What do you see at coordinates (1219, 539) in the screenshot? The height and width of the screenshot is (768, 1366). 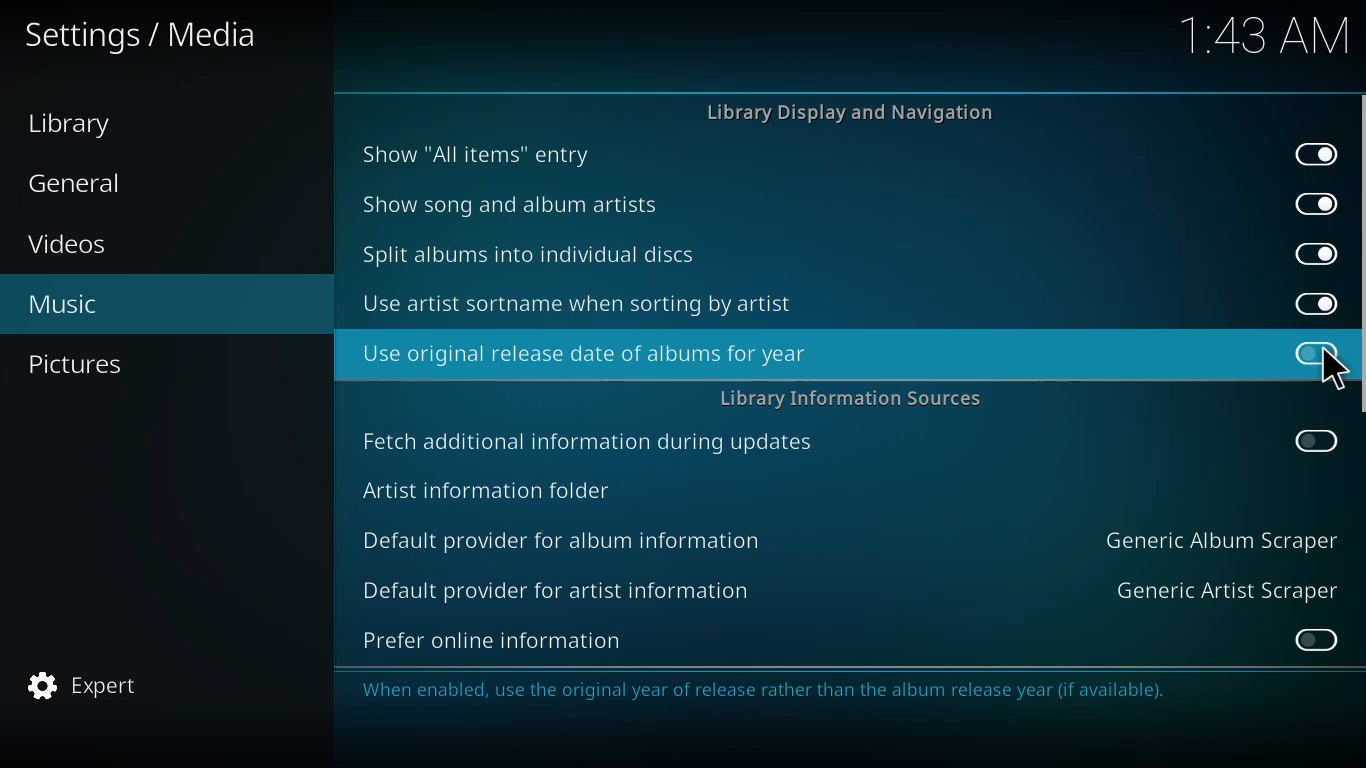 I see `generic album scraper` at bounding box center [1219, 539].